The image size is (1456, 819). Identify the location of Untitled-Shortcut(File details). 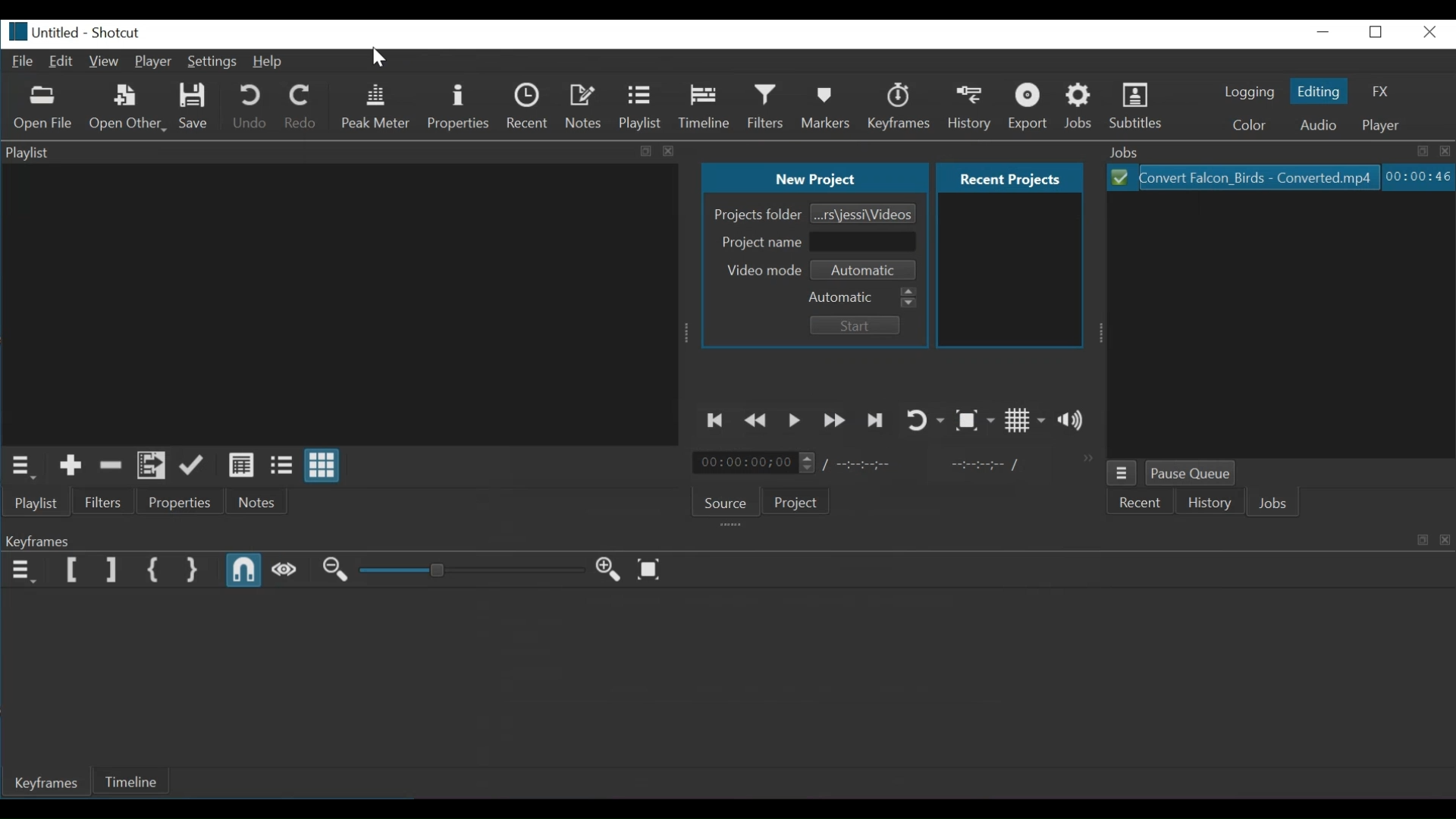
(86, 33).